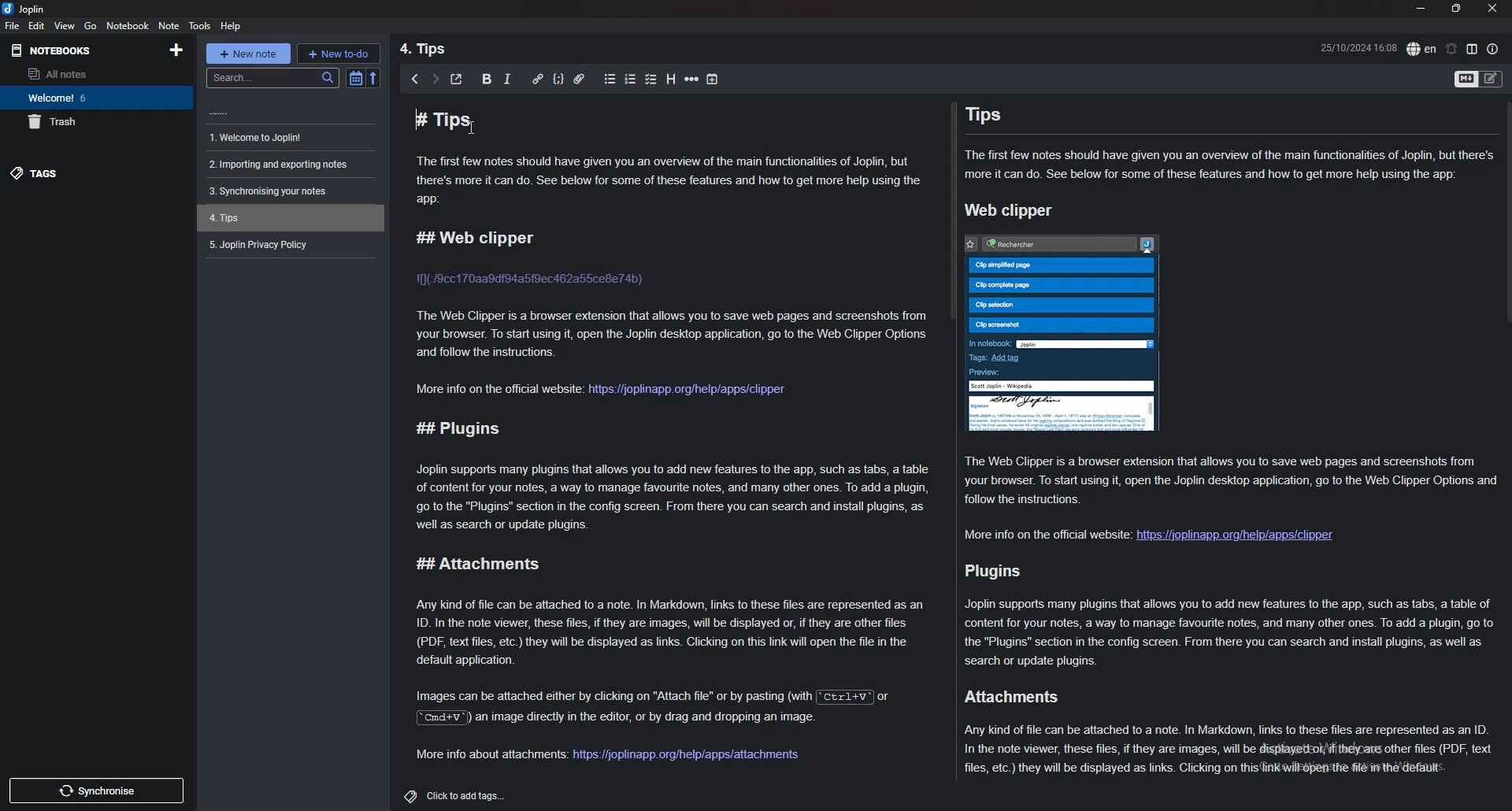 This screenshot has width=1512, height=811. What do you see at coordinates (1063, 306) in the screenshot?
I see `Clip selection page` at bounding box center [1063, 306].